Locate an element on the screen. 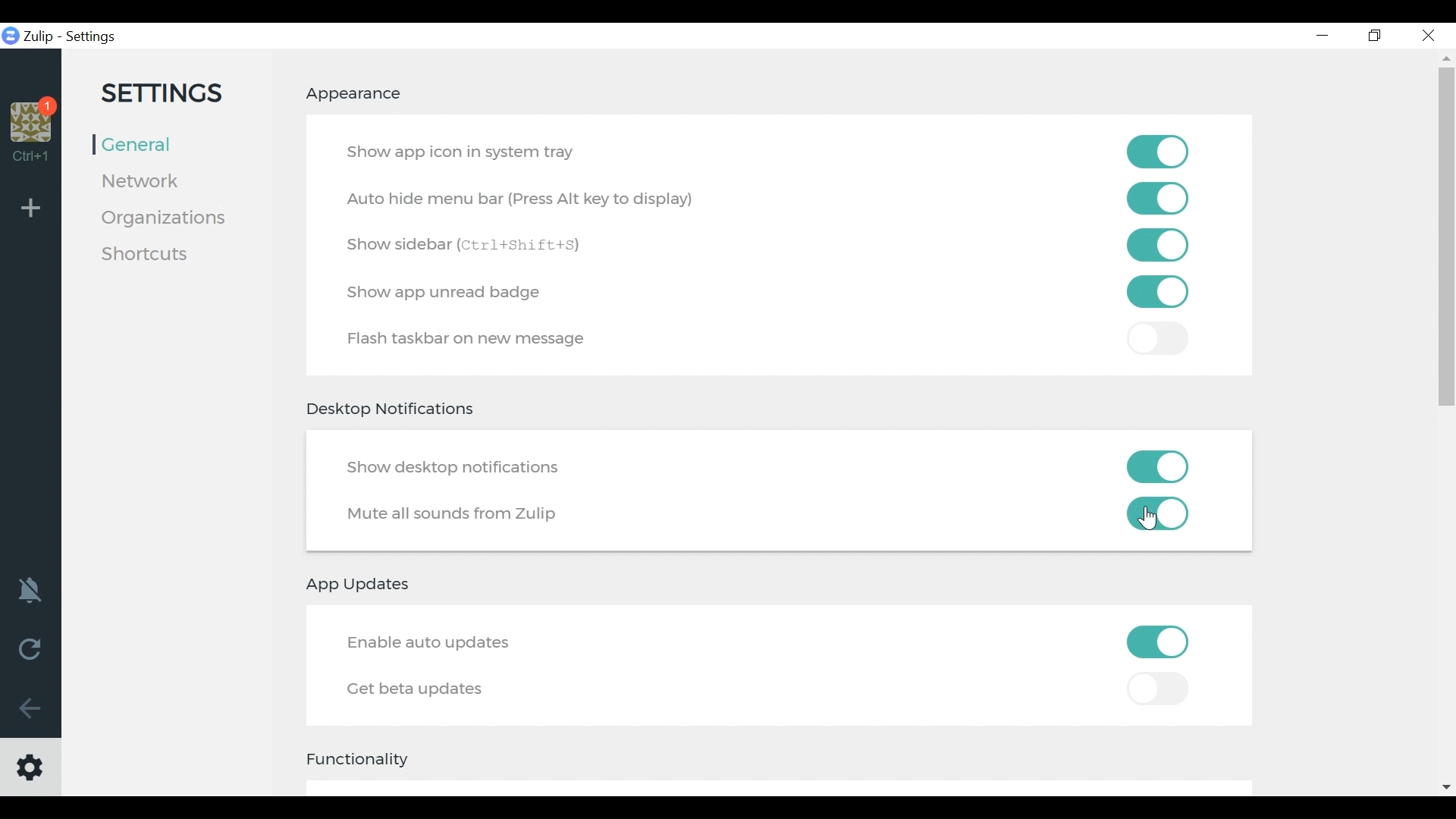  Appearance is located at coordinates (356, 94).